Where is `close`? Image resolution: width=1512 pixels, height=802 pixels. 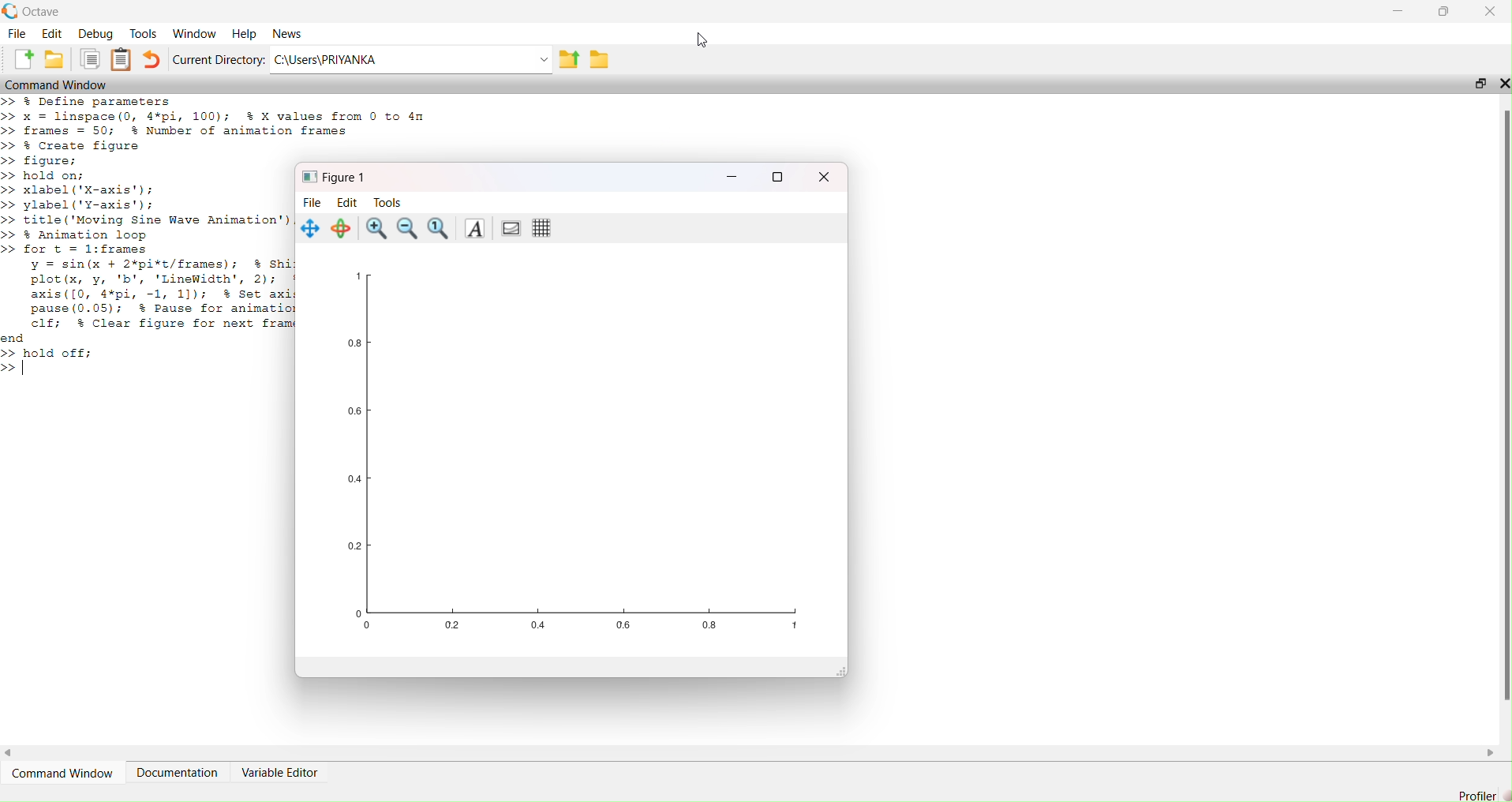
close is located at coordinates (1503, 83).